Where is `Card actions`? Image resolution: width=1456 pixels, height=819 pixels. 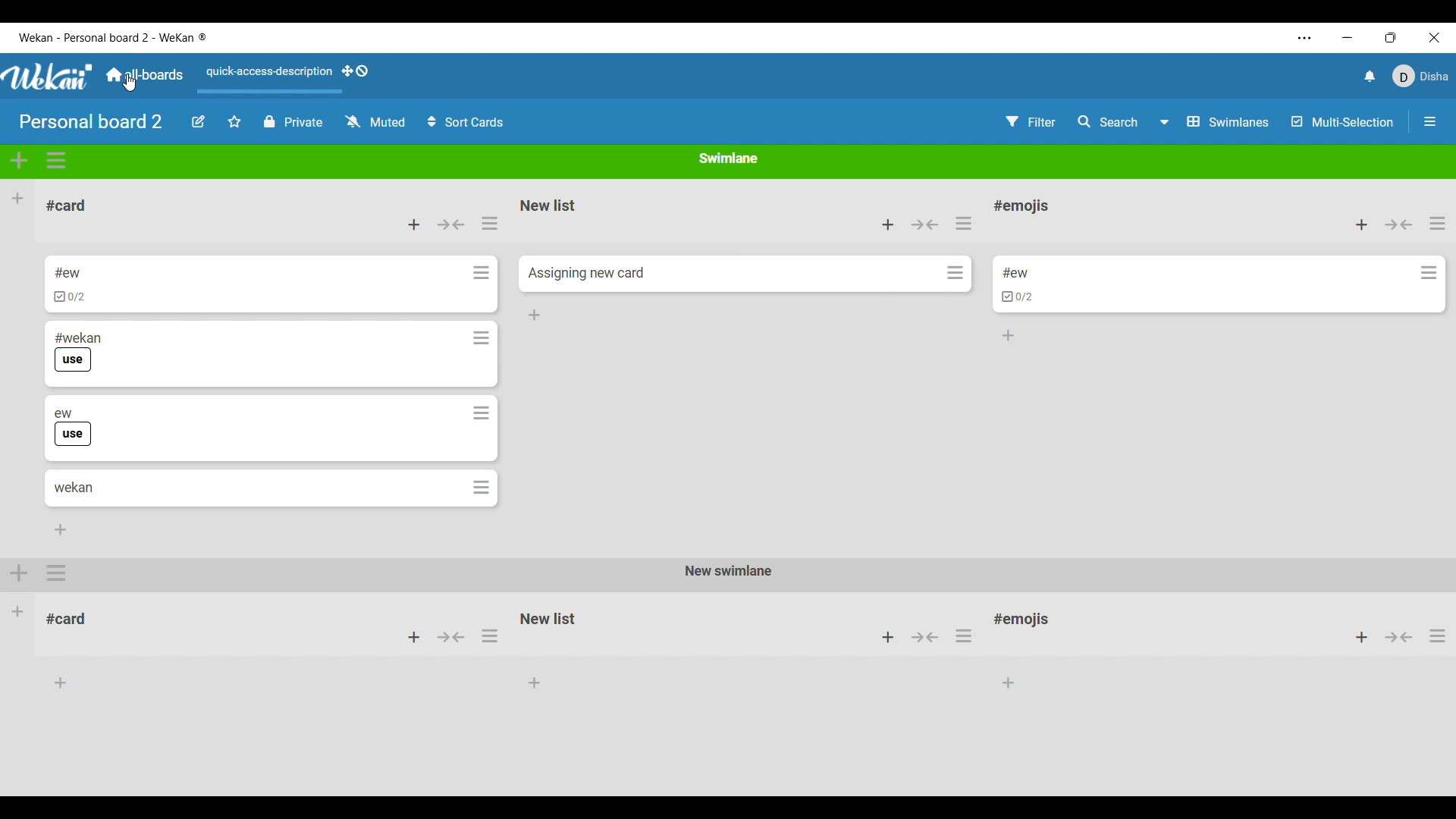
Card actions is located at coordinates (1429, 272).